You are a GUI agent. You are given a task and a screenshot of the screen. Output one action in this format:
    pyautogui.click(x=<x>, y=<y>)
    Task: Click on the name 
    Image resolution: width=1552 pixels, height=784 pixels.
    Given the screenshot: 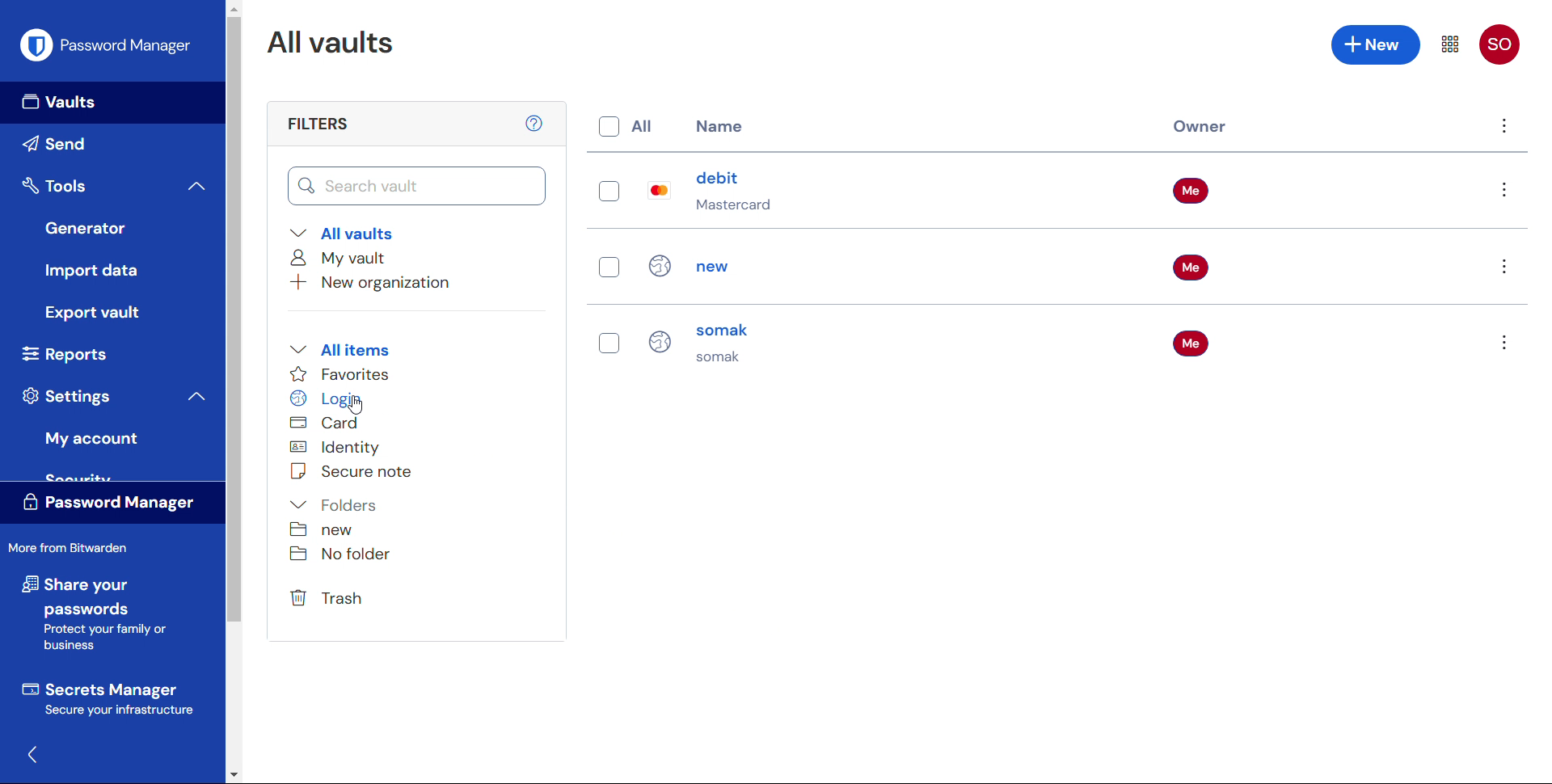 What is the action you would take?
    pyautogui.click(x=721, y=126)
    